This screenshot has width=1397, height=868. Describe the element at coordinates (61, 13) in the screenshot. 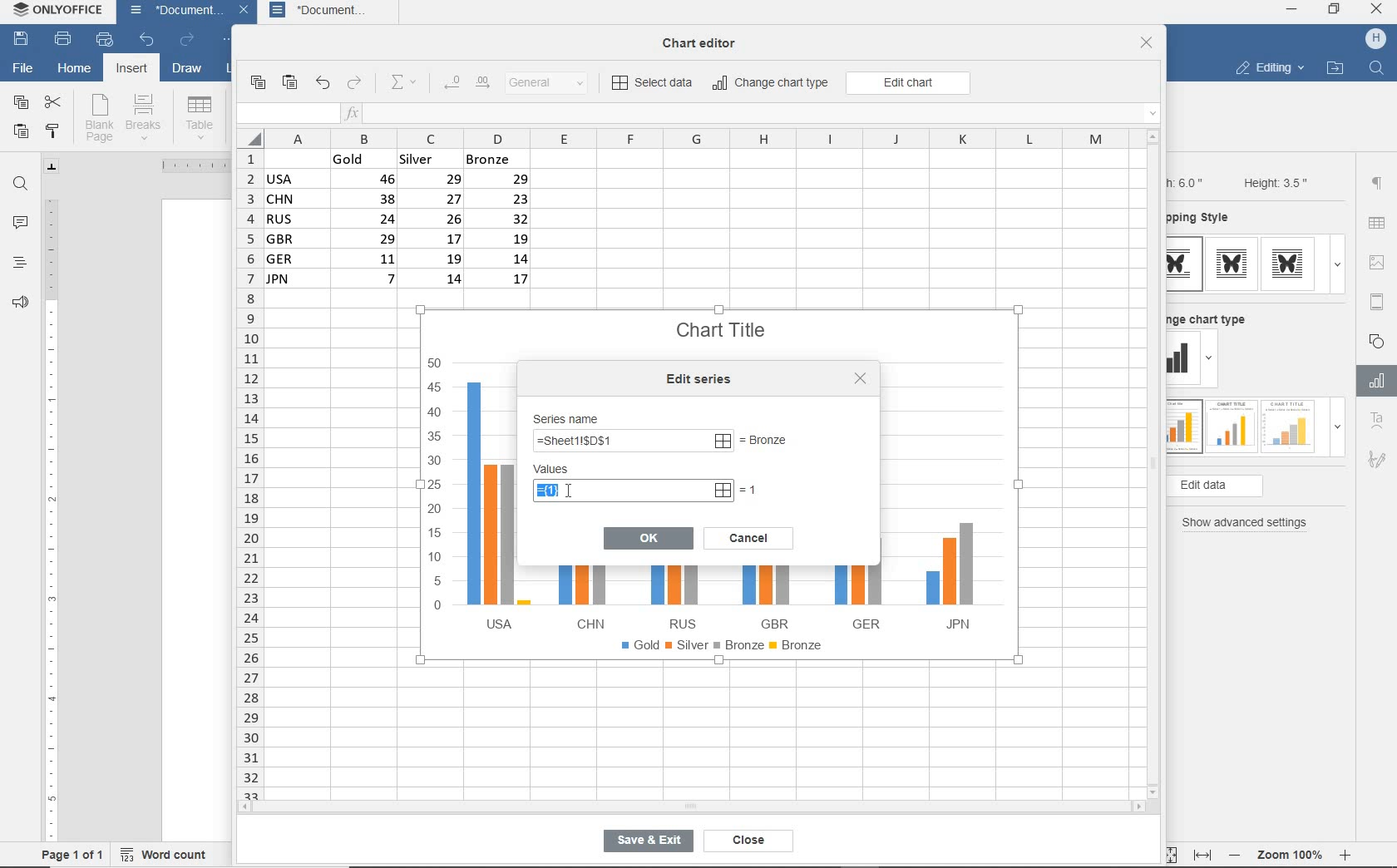

I see `system name` at that location.